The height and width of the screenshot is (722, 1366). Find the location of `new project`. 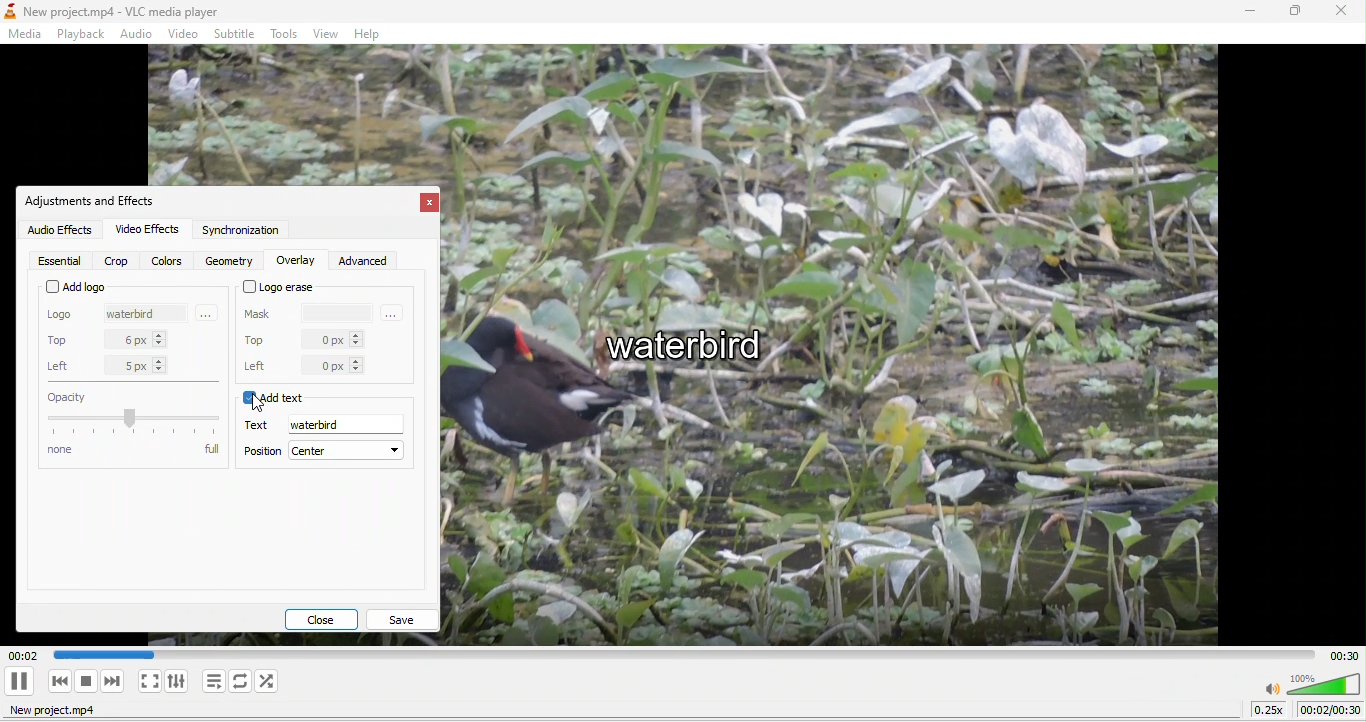

new project is located at coordinates (63, 713).